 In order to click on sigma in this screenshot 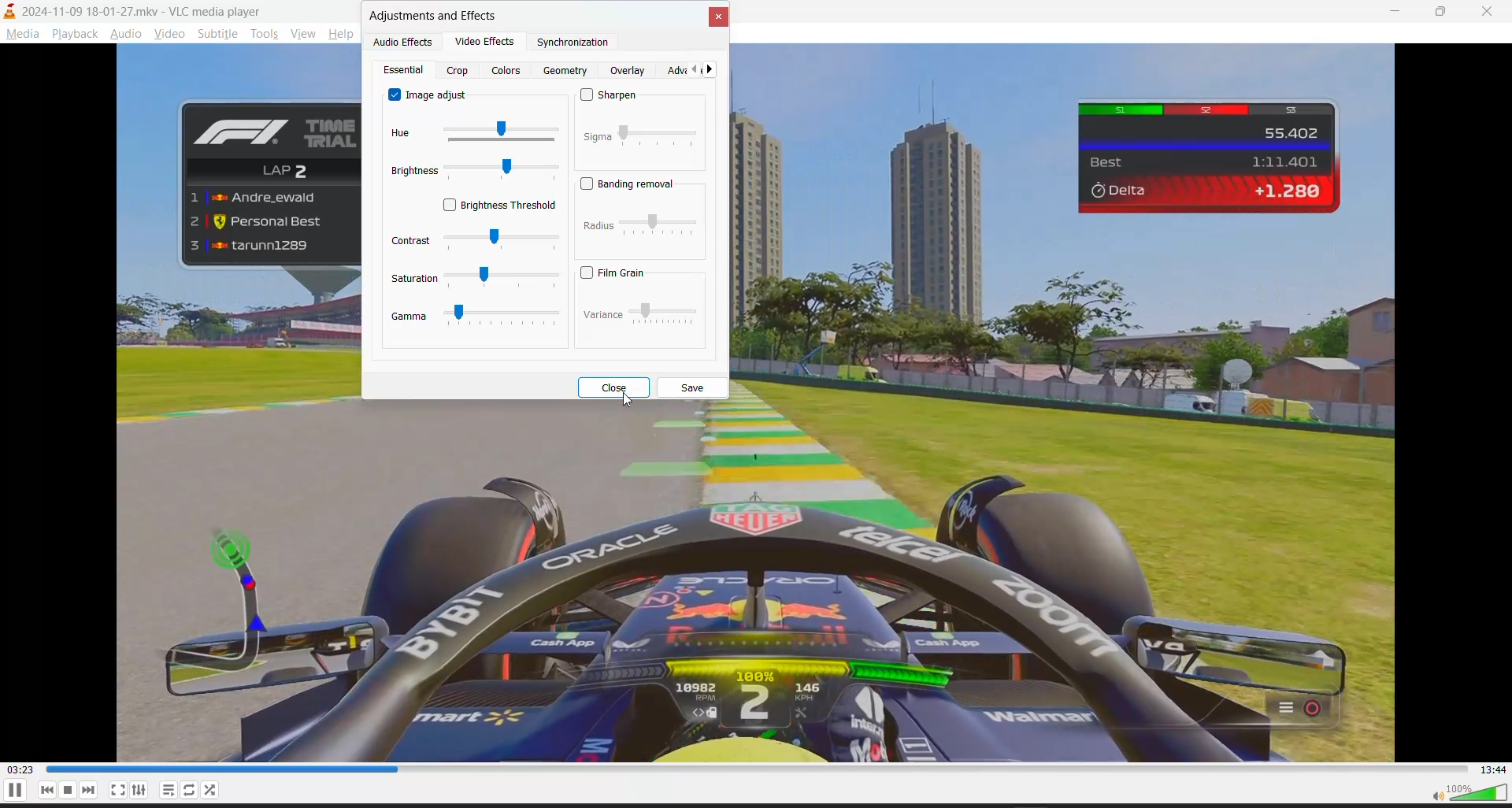, I will do `click(598, 137)`.